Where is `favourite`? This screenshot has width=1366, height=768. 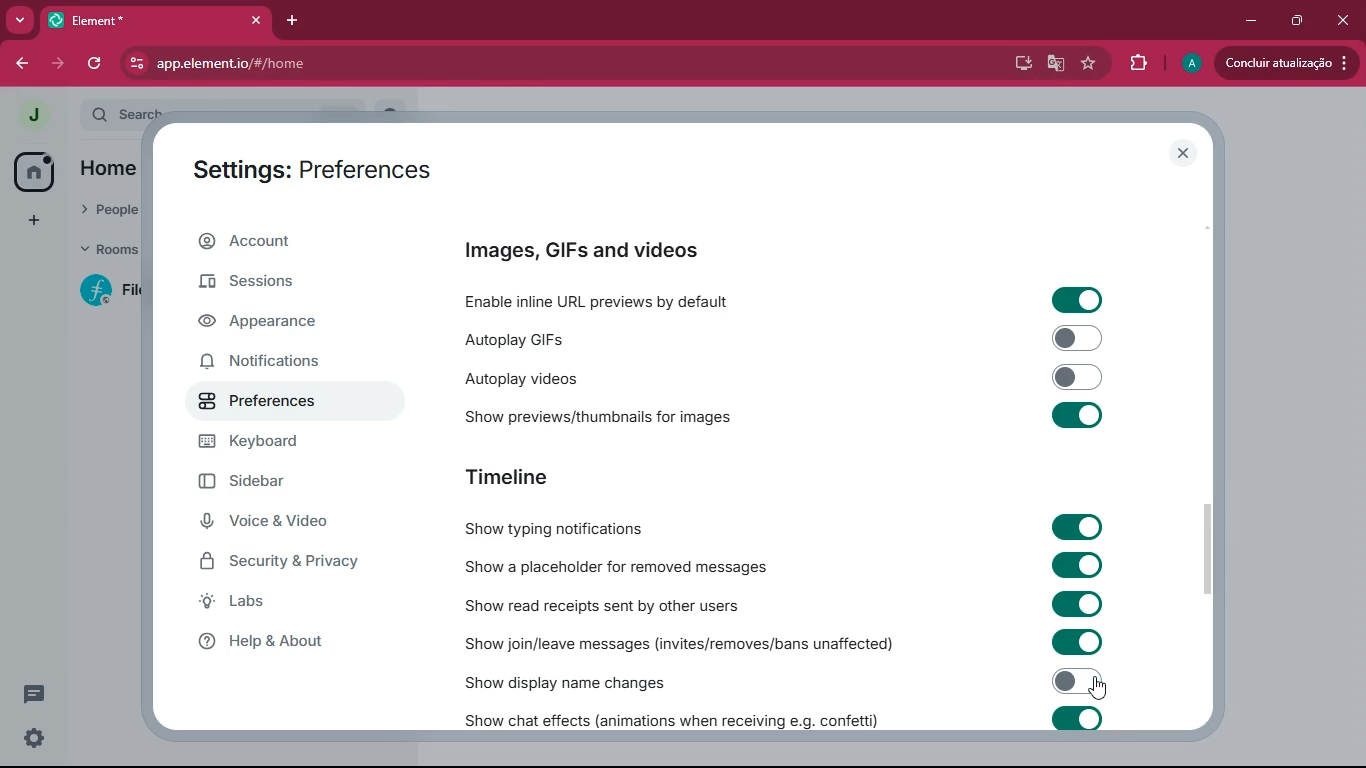
favourite is located at coordinates (1089, 64).